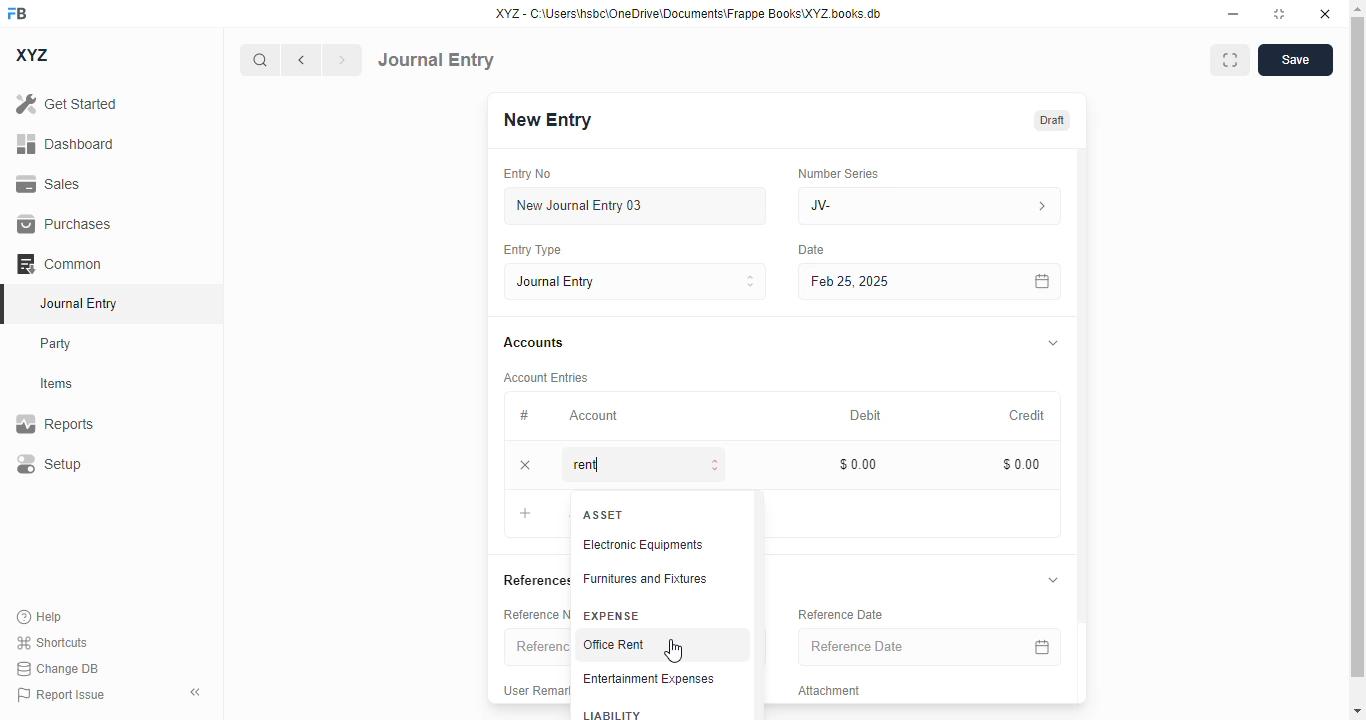 This screenshot has height=720, width=1366. Describe the element at coordinates (840, 614) in the screenshot. I see `reference data` at that location.